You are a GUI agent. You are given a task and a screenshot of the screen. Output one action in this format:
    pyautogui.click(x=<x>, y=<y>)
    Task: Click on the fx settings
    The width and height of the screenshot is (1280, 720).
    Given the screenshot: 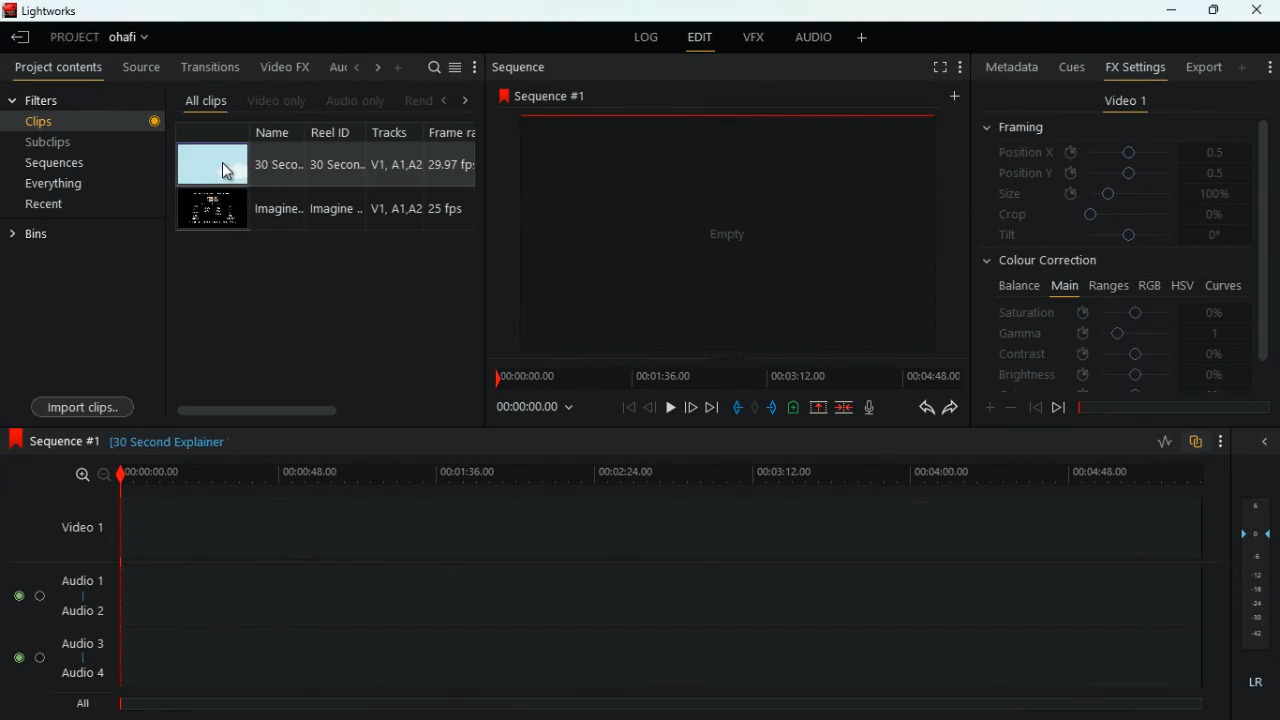 What is the action you would take?
    pyautogui.click(x=1133, y=67)
    